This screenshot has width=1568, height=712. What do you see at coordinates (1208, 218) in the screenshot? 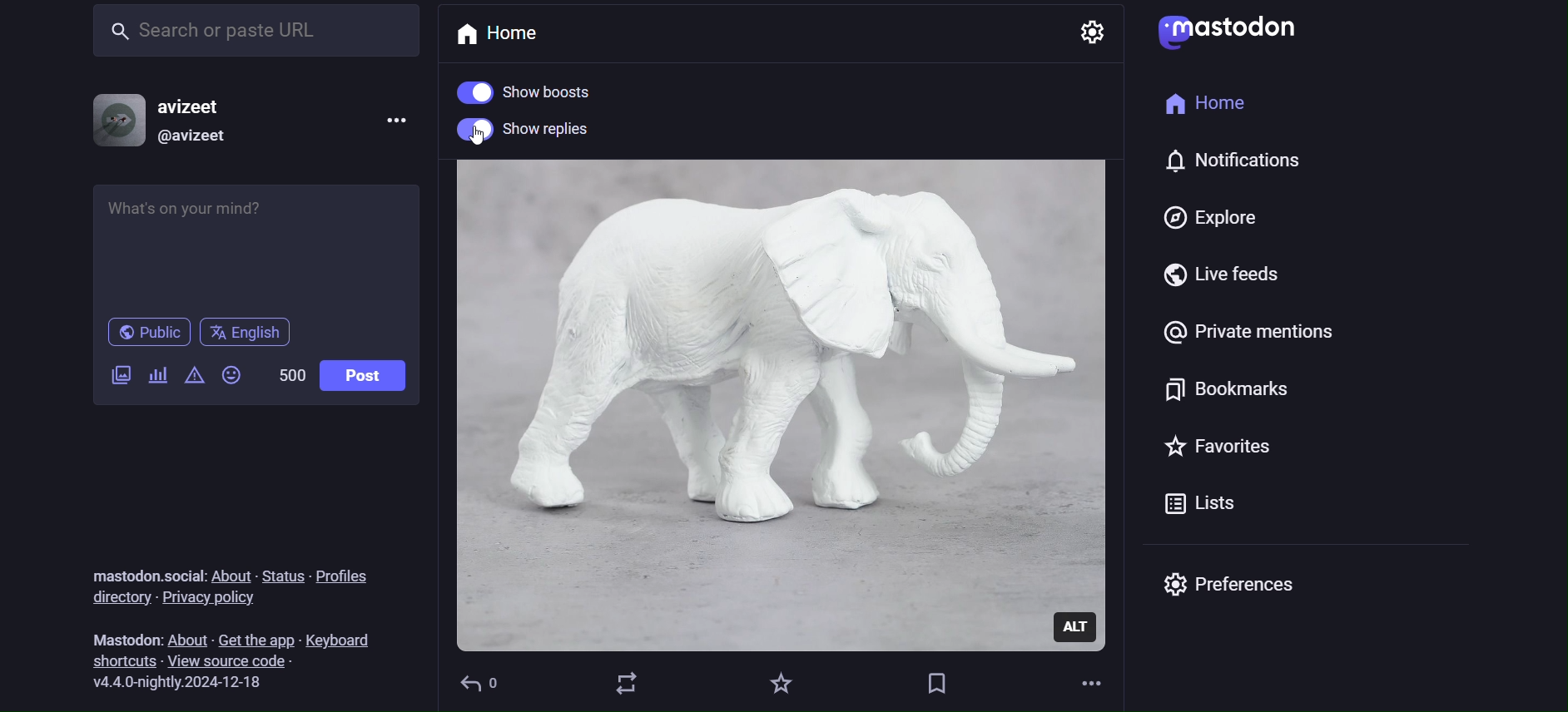
I see `explore` at bounding box center [1208, 218].